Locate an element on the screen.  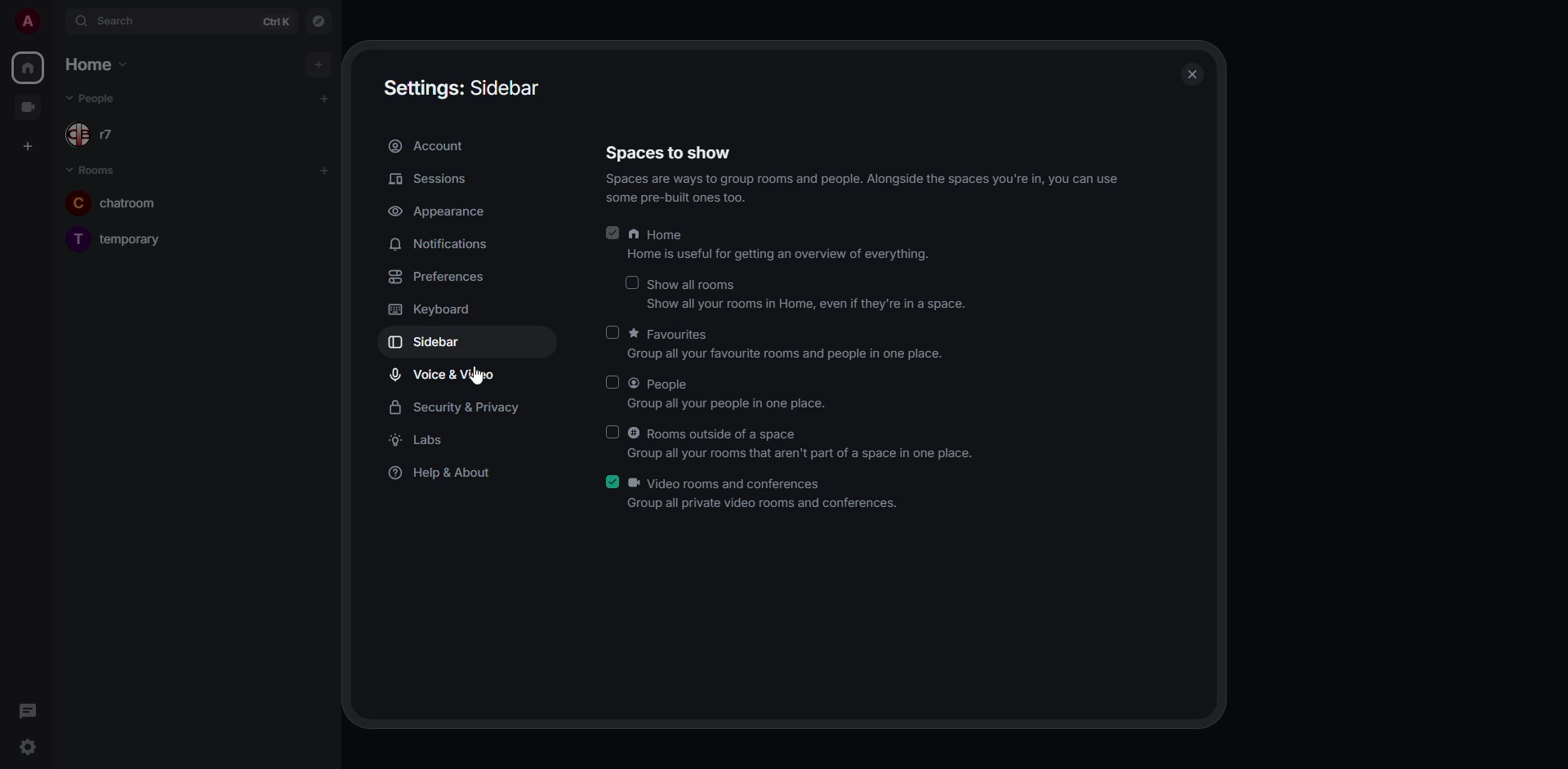
spaces to show is located at coordinates (862, 176).